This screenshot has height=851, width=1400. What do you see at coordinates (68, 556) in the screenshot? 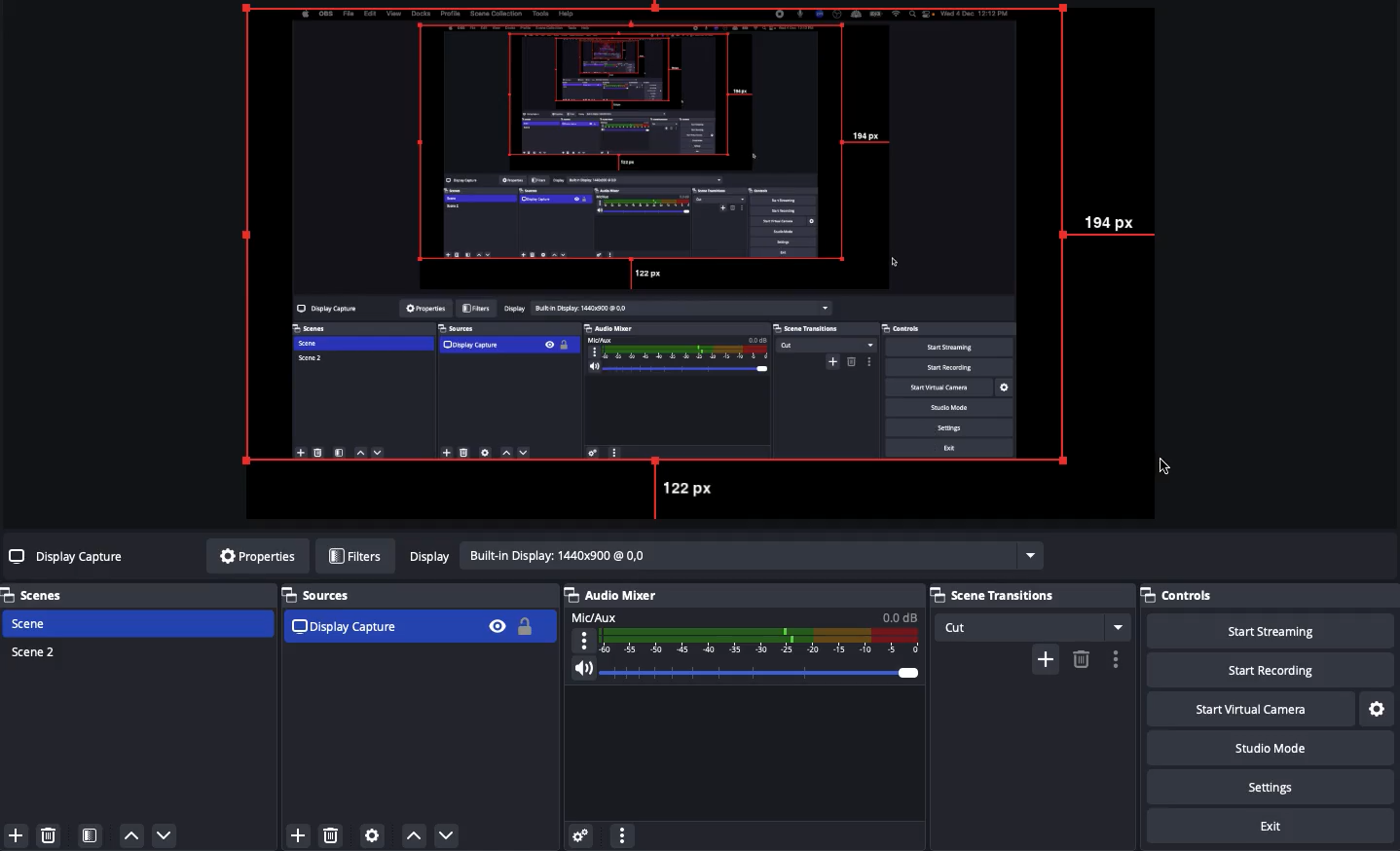
I see `No sources selected` at bounding box center [68, 556].